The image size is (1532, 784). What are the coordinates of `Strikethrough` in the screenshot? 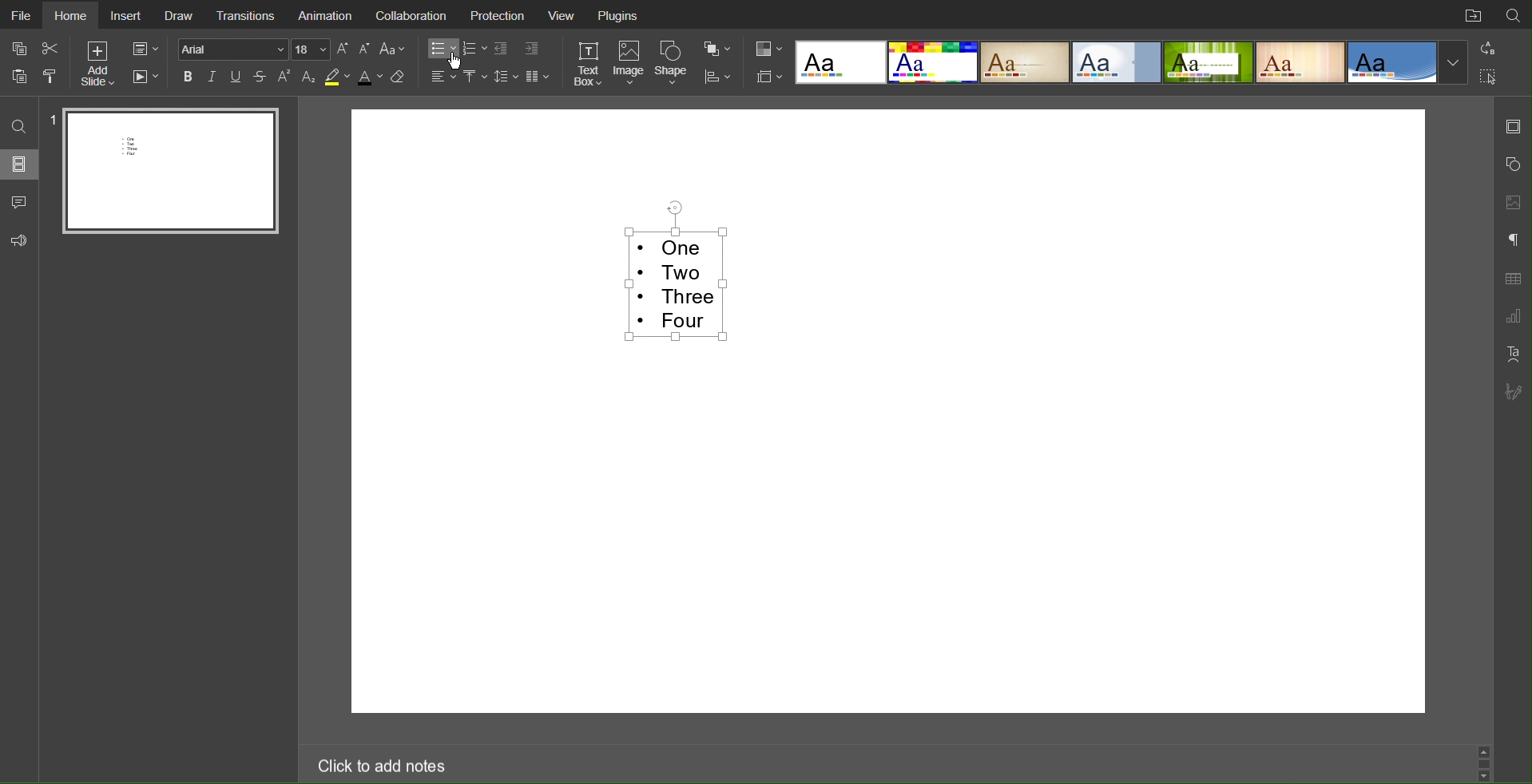 It's located at (261, 77).